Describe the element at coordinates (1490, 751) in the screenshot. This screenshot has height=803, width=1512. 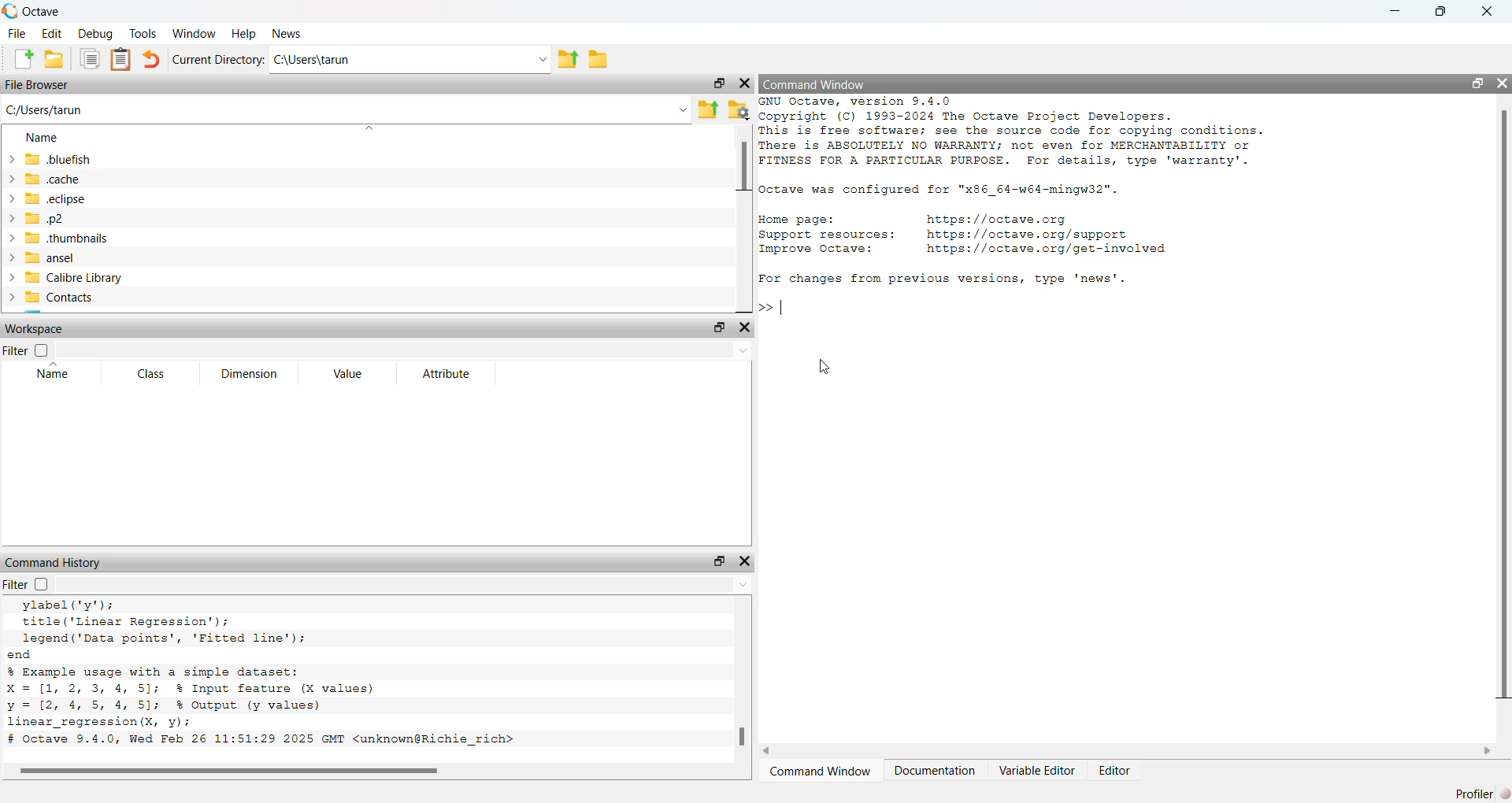
I see `move right` at that location.